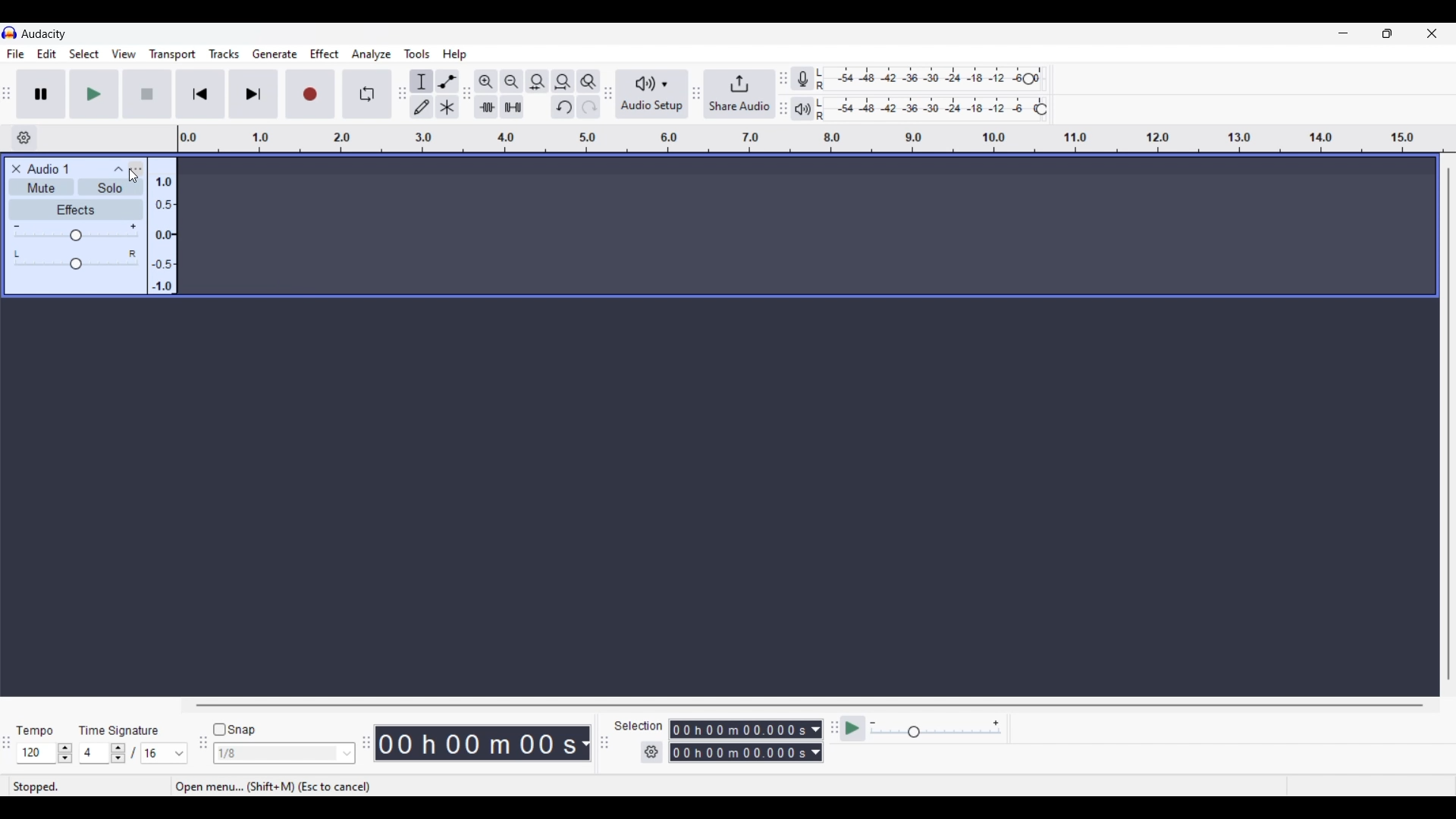  I want to click on Record meter, so click(811, 79).